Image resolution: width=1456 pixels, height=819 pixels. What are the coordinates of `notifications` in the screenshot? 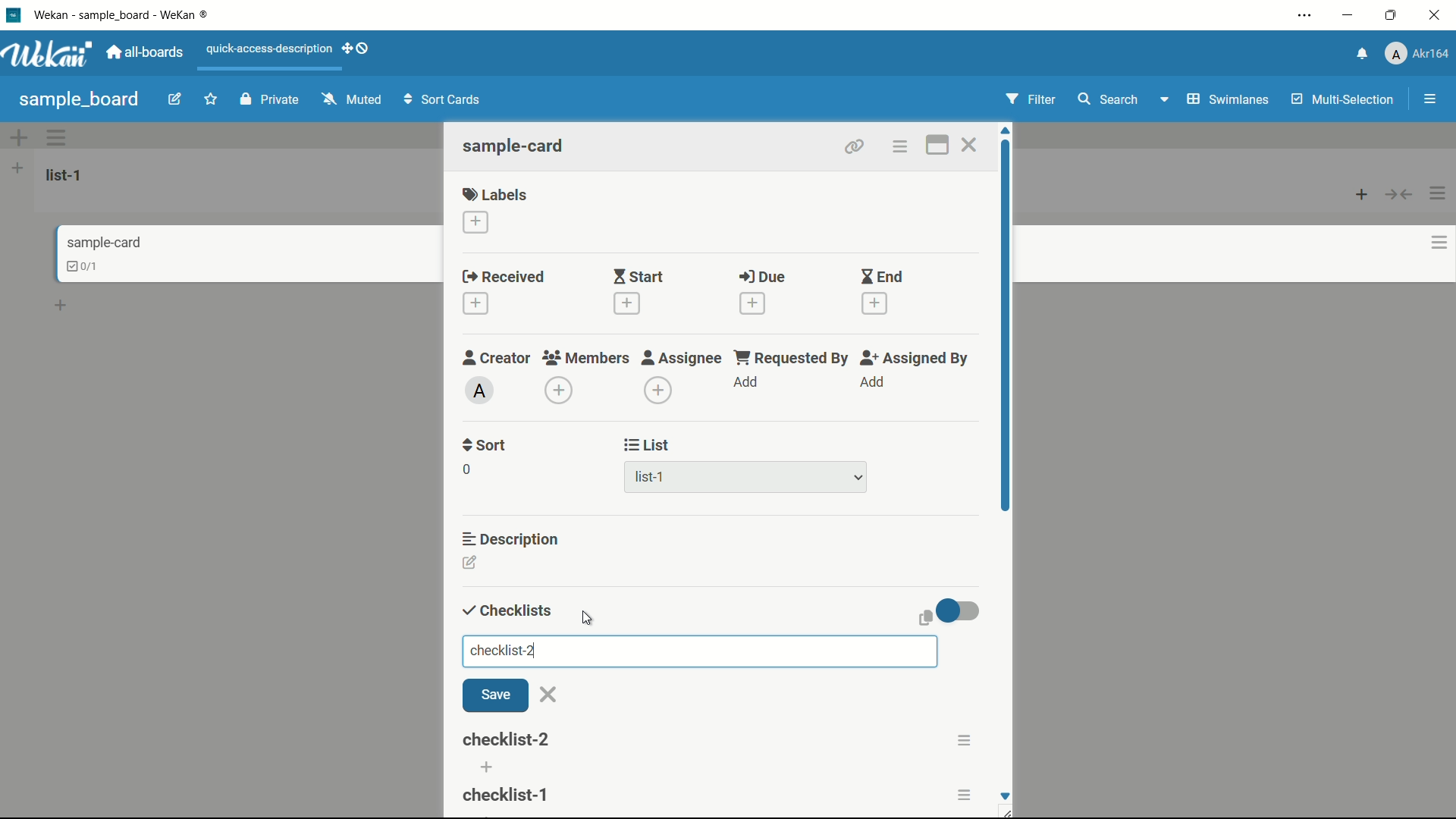 It's located at (1360, 52).